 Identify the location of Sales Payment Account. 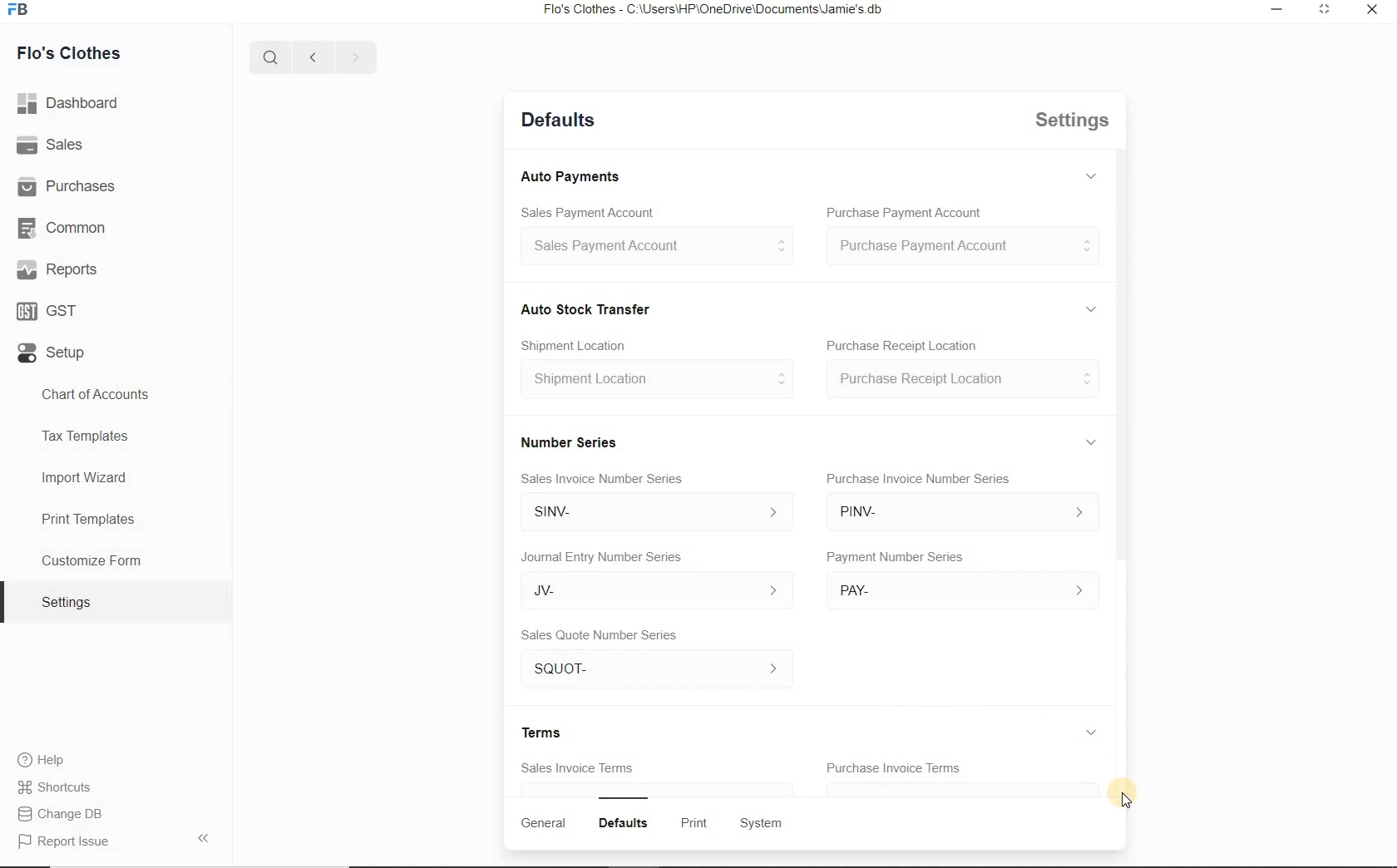
(585, 212).